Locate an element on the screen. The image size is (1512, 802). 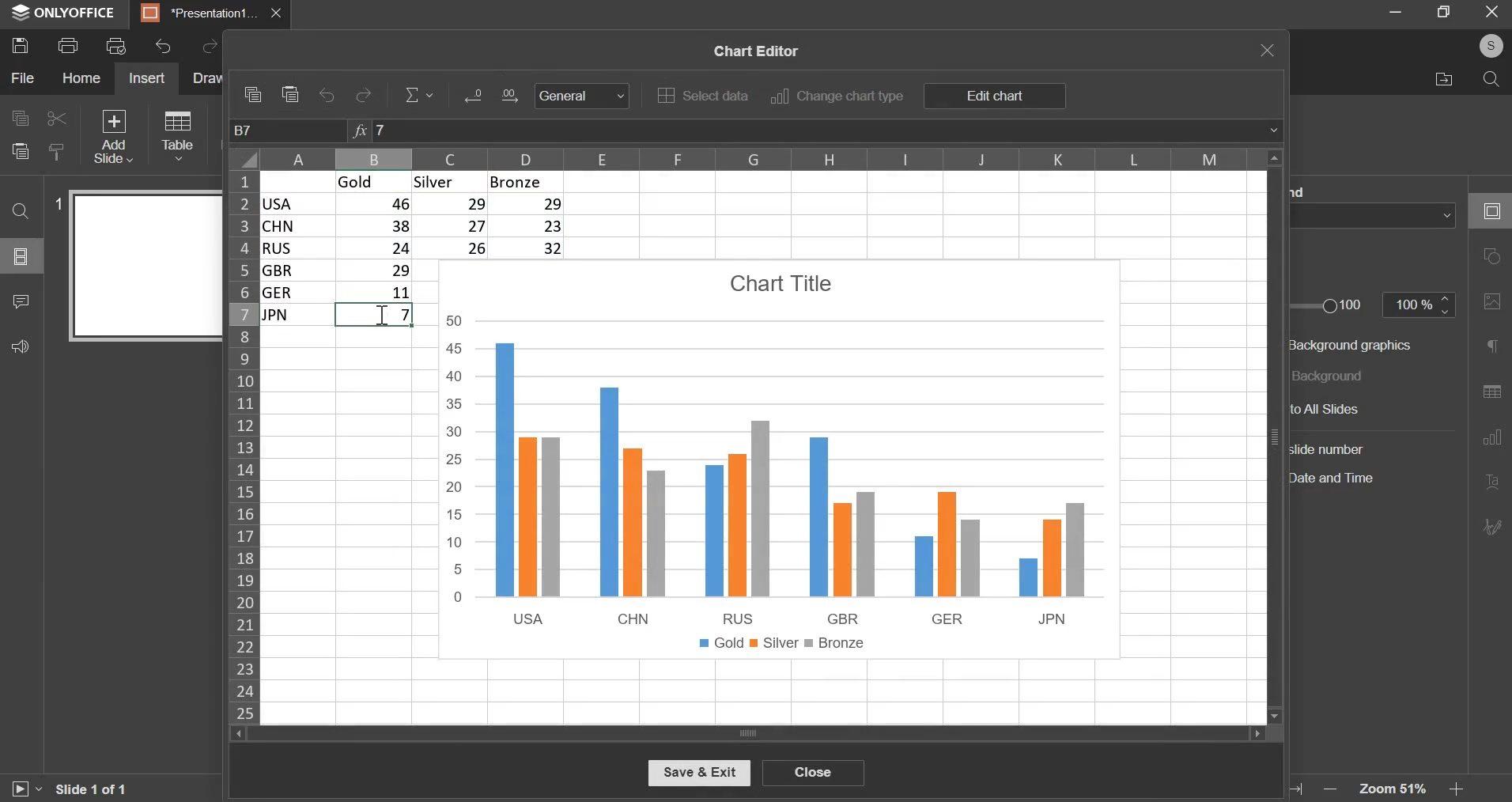
print preview is located at coordinates (116, 45).